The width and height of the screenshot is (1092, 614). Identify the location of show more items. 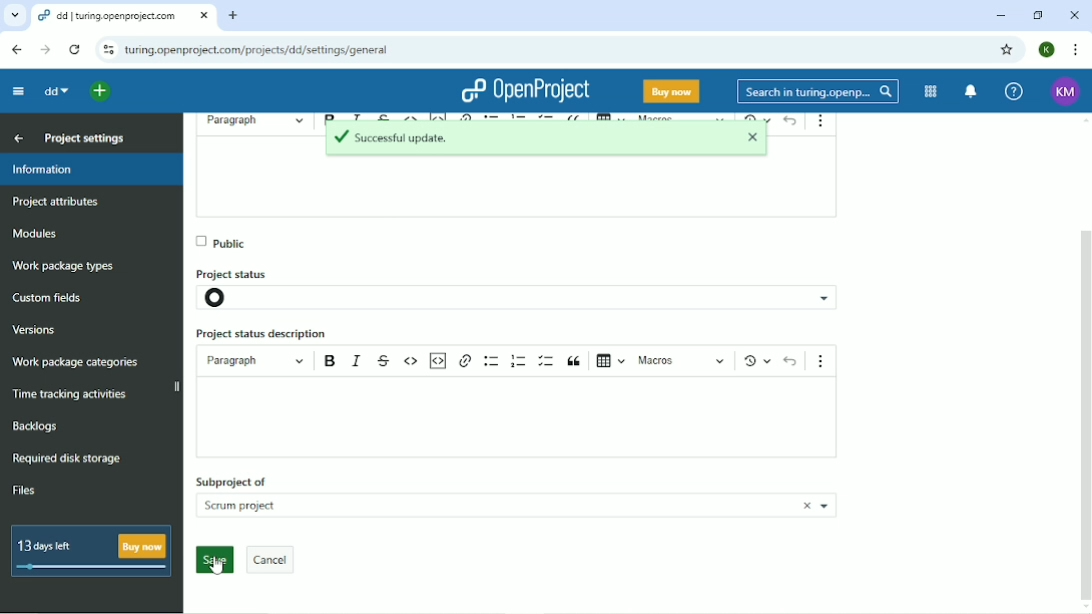
(821, 361).